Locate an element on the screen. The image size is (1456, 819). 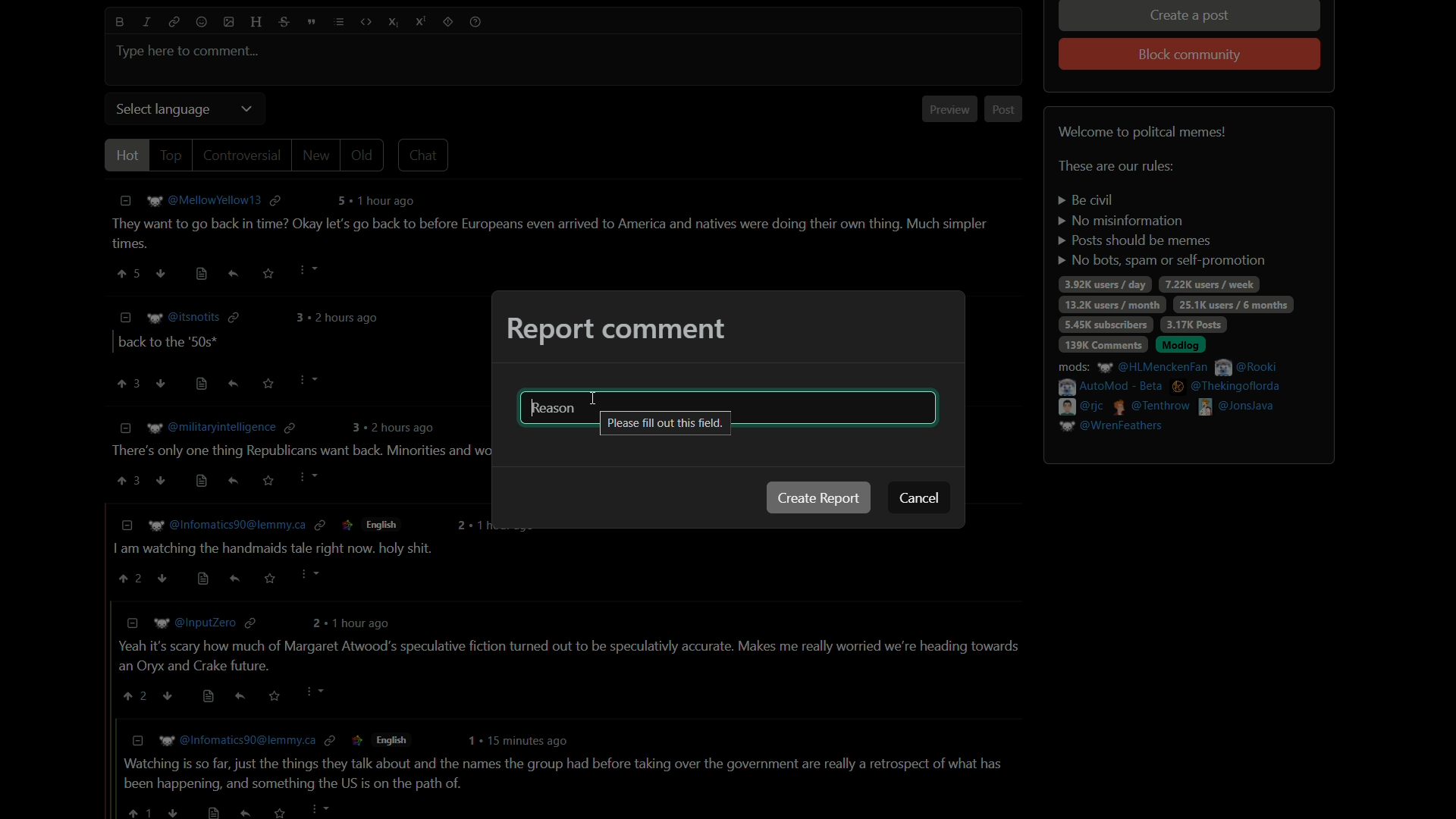
cursor is located at coordinates (595, 399).